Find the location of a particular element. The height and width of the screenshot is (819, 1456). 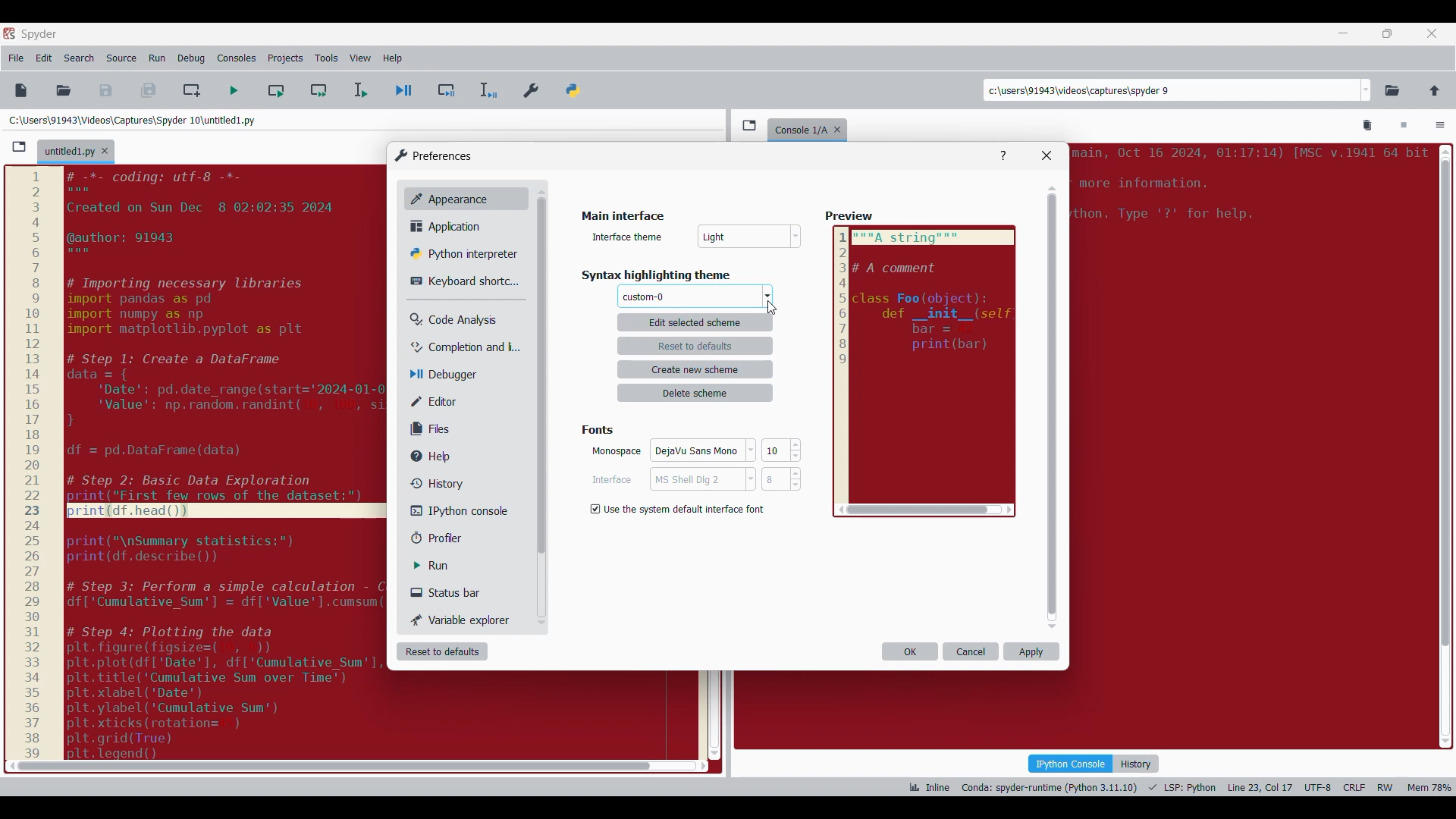

Files is located at coordinates (434, 428).